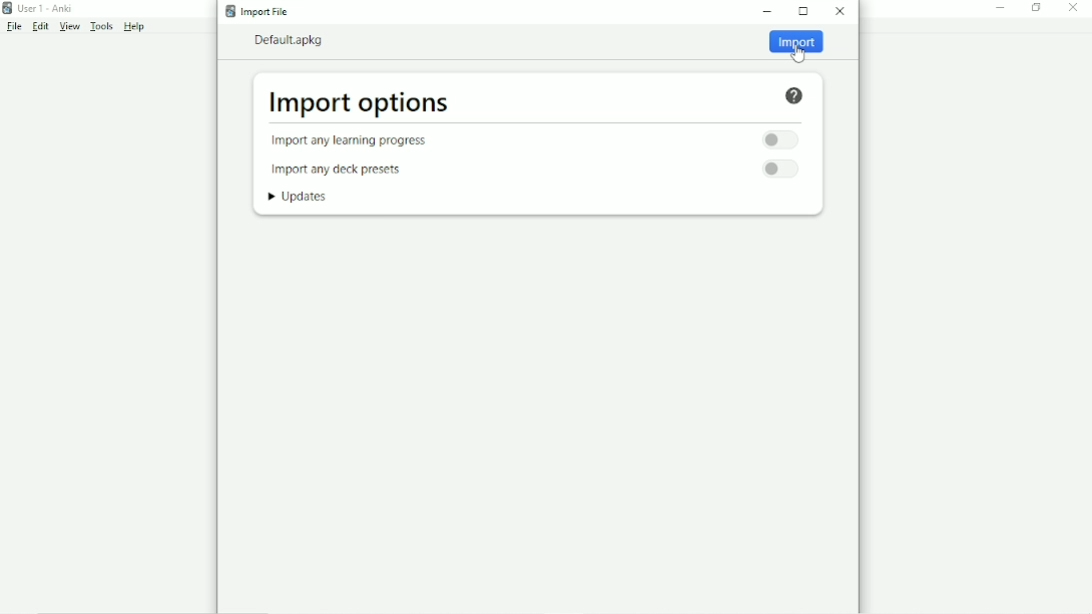  What do you see at coordinates (795, 95) in the screenshot?
I see `Get Help` at bounding box center [795, 95].